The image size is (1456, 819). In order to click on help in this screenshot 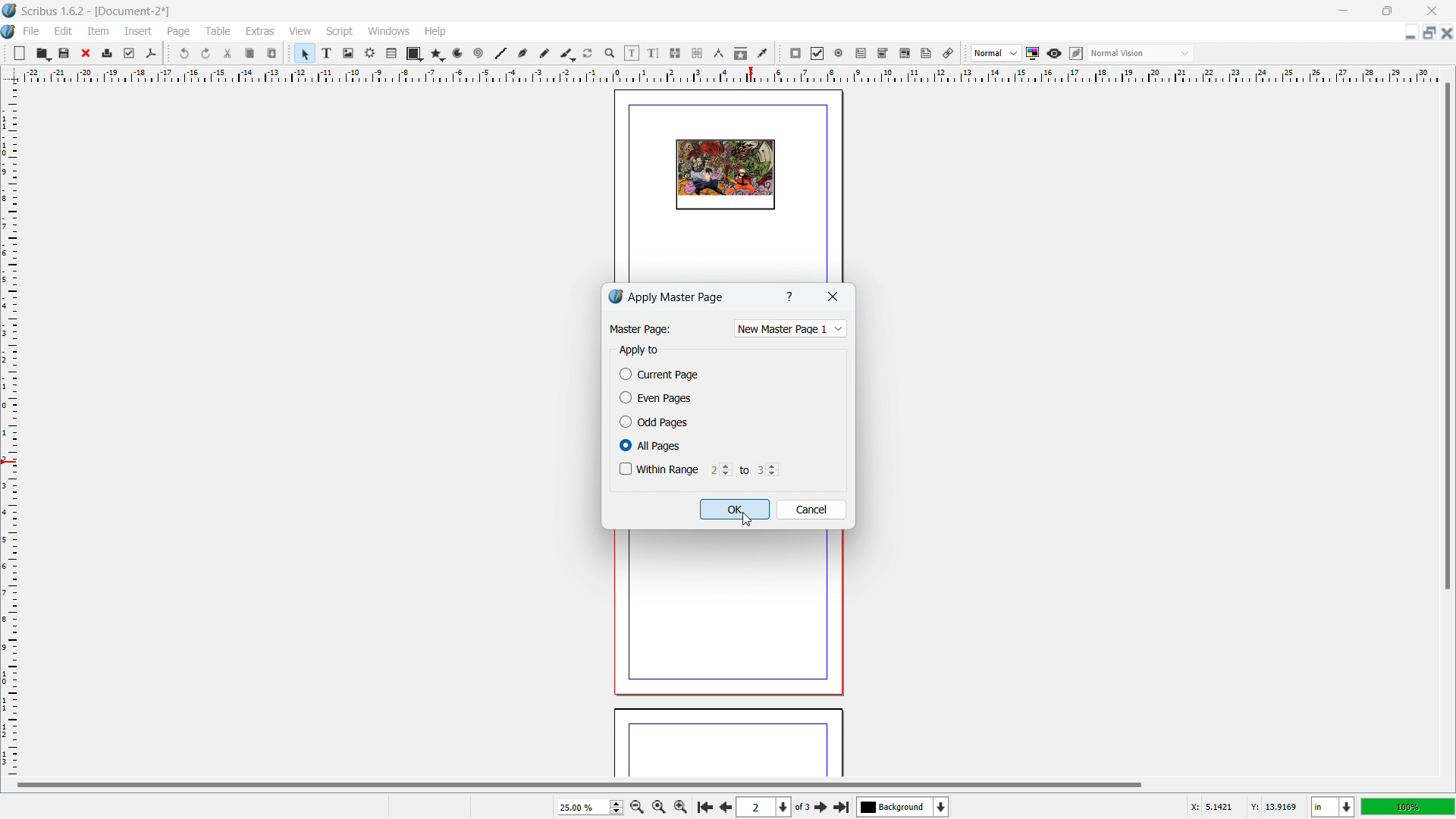, I will do `click(436, 32)`.